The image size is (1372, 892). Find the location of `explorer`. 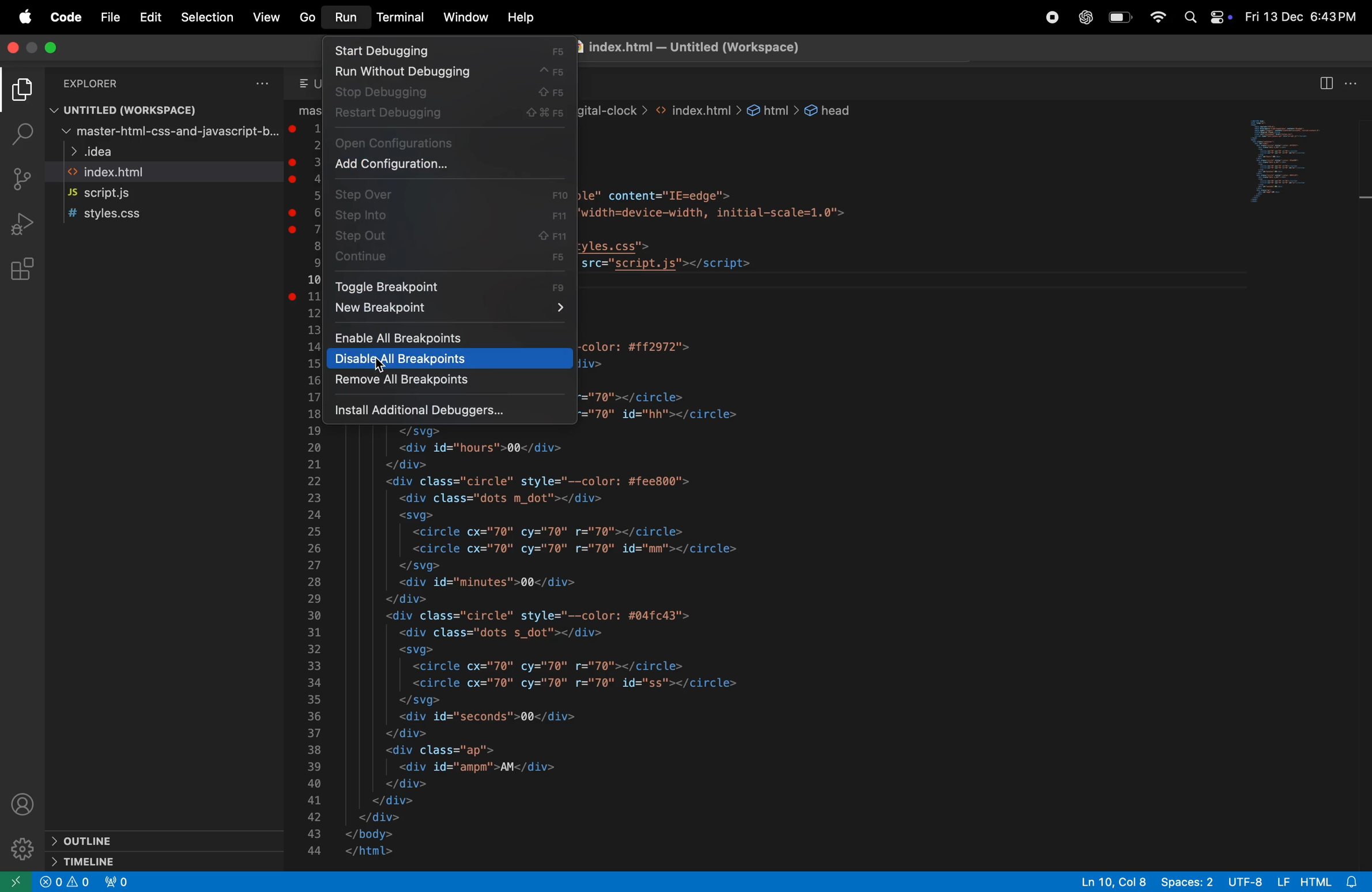

explorer is located at coordinates (20, 89).